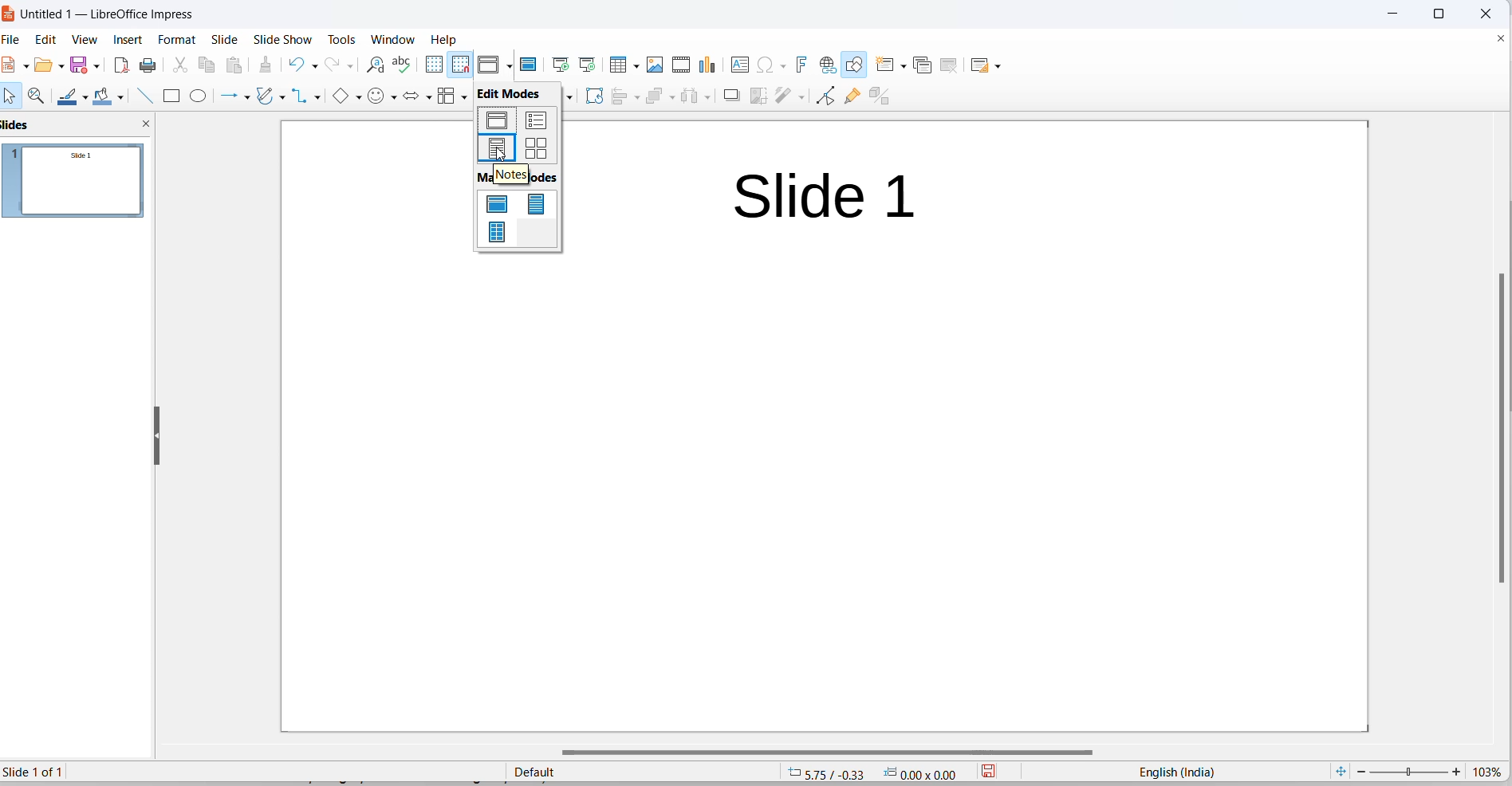 The height and width of the screenshot is (786, 1512). Describe the element at coordinates (16, 41) in the screenshot. I see `file` at that location.